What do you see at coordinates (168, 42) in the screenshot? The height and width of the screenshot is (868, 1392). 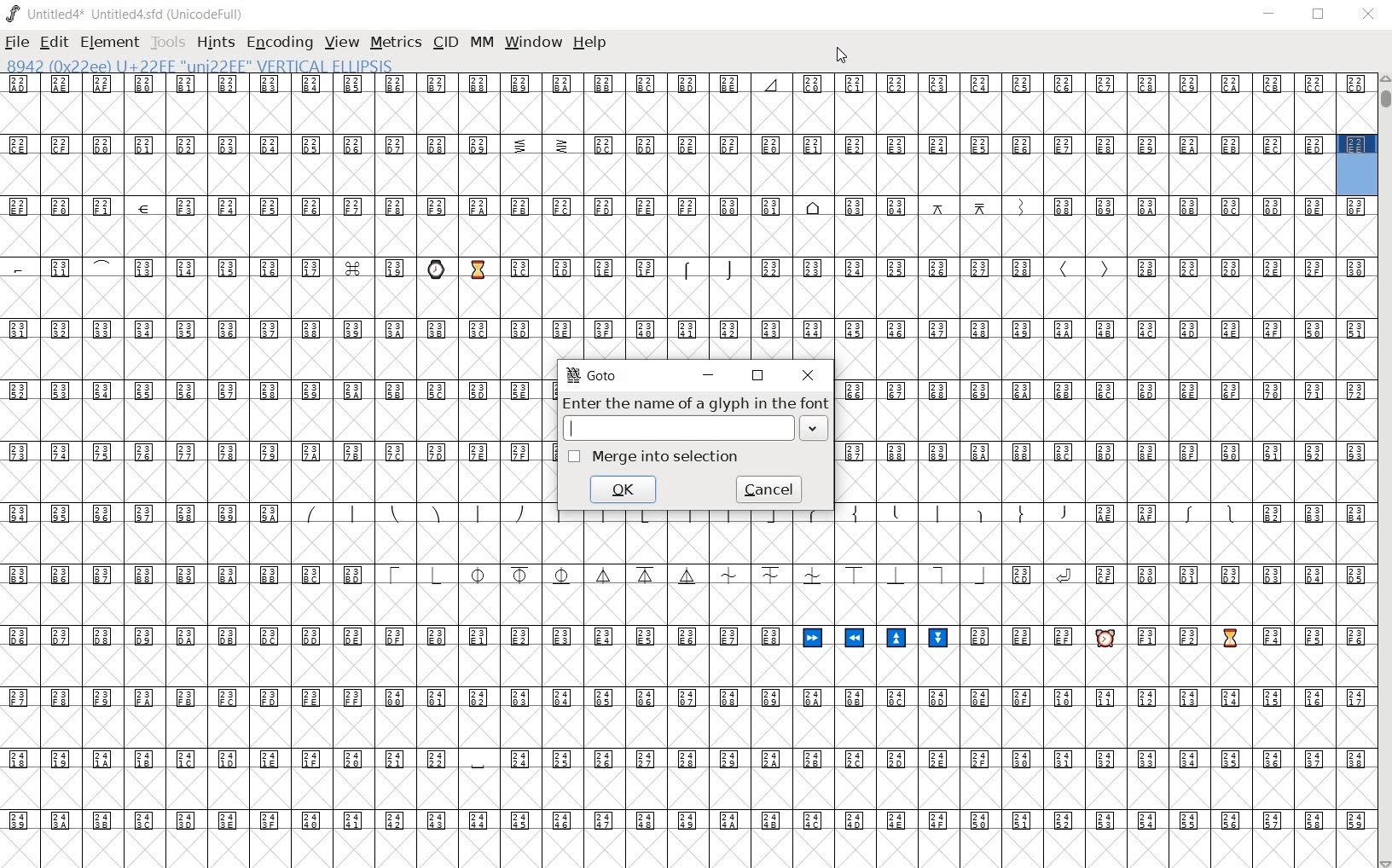 I see `TOOLS` at bounding box center [168, 42].